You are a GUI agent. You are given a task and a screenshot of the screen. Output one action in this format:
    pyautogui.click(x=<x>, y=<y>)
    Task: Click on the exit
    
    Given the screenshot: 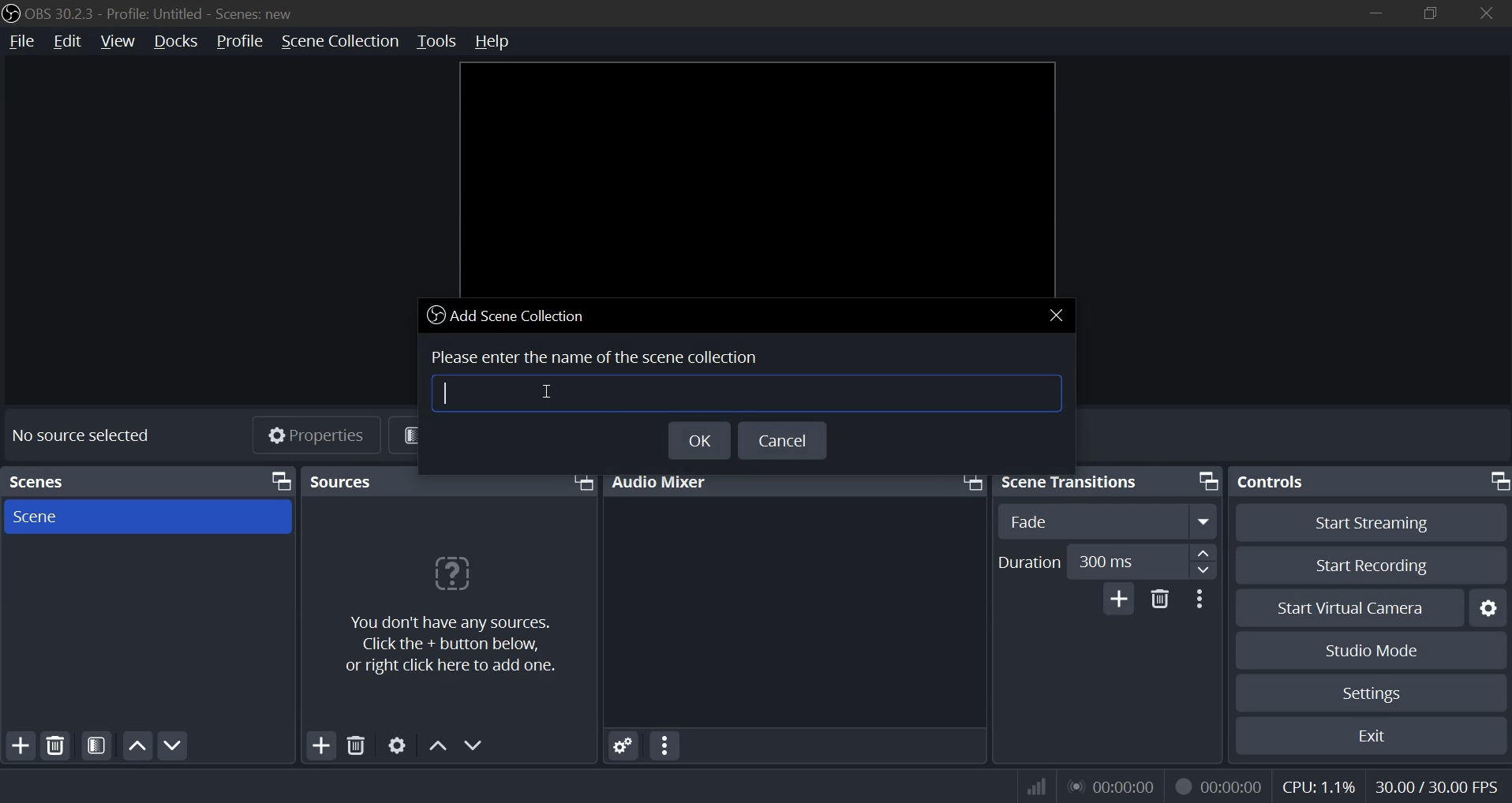 What is the action you would take?
    pyautogui.click(x=1371, y=735)
    